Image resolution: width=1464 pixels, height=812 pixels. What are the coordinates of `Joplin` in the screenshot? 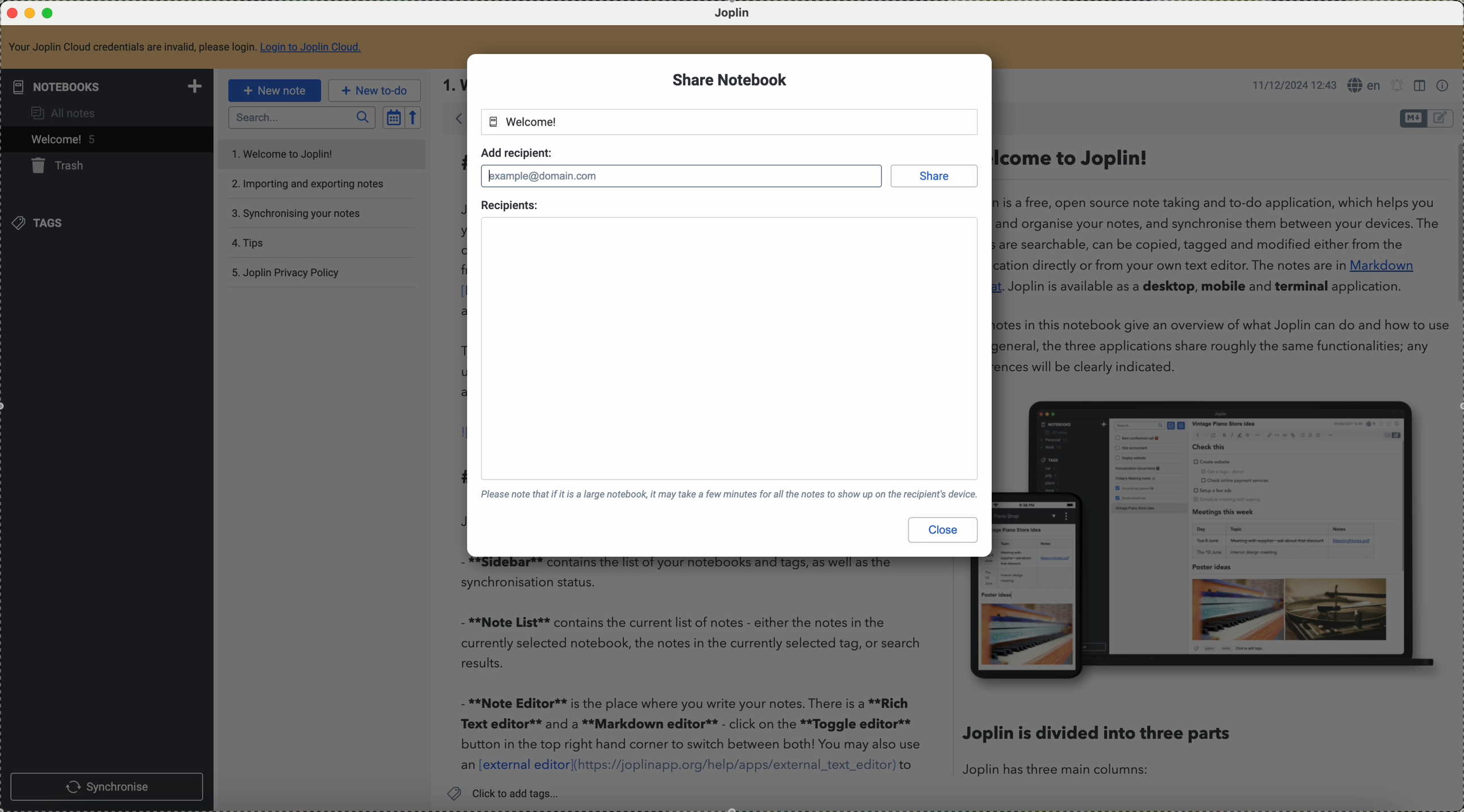 It's located at (734, 14).